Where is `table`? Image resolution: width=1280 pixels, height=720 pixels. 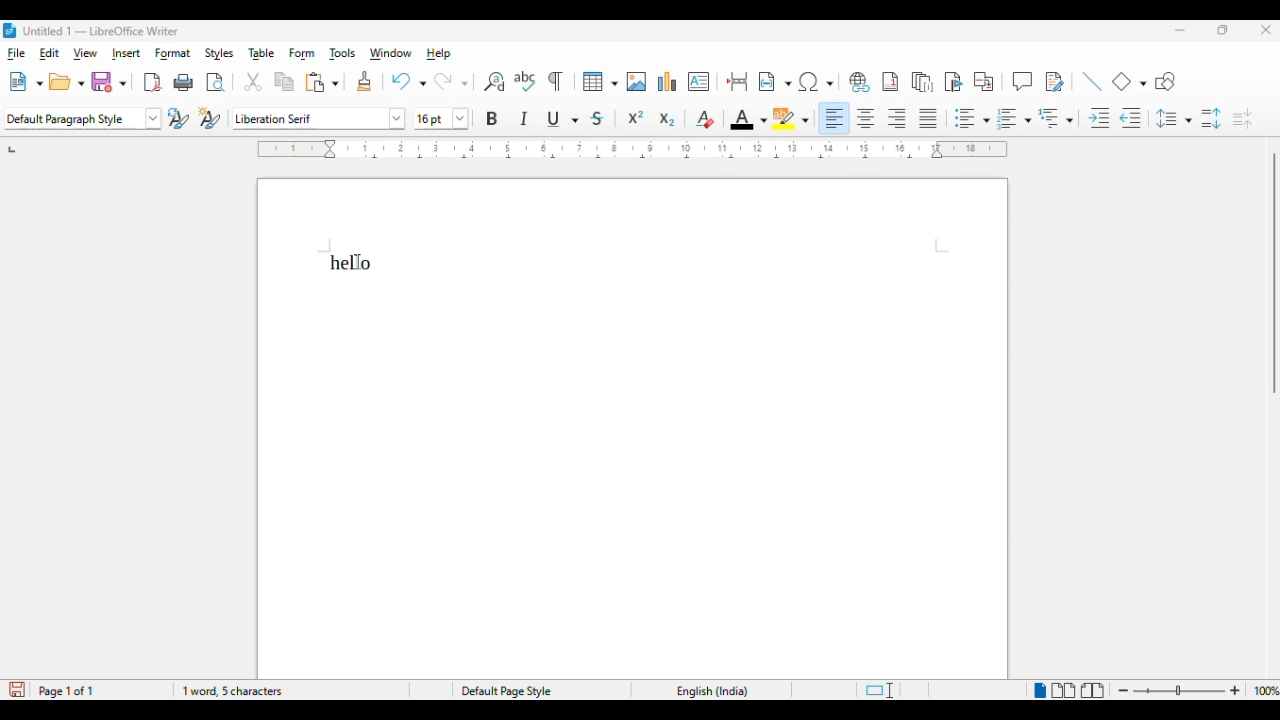 table is located at coordinates (263, 53).